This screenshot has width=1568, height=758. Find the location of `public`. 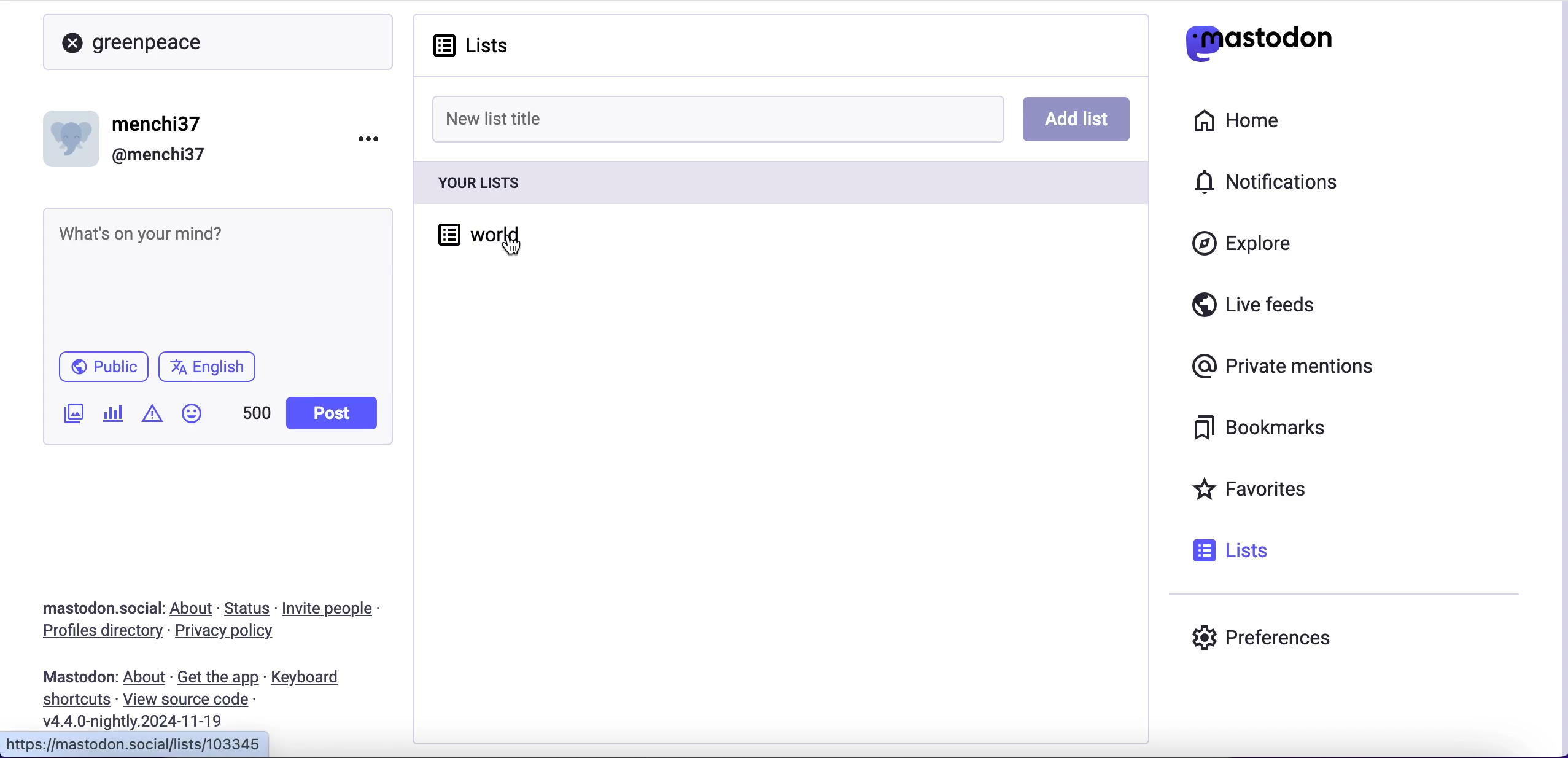

public is located at coordinates (102, 370).